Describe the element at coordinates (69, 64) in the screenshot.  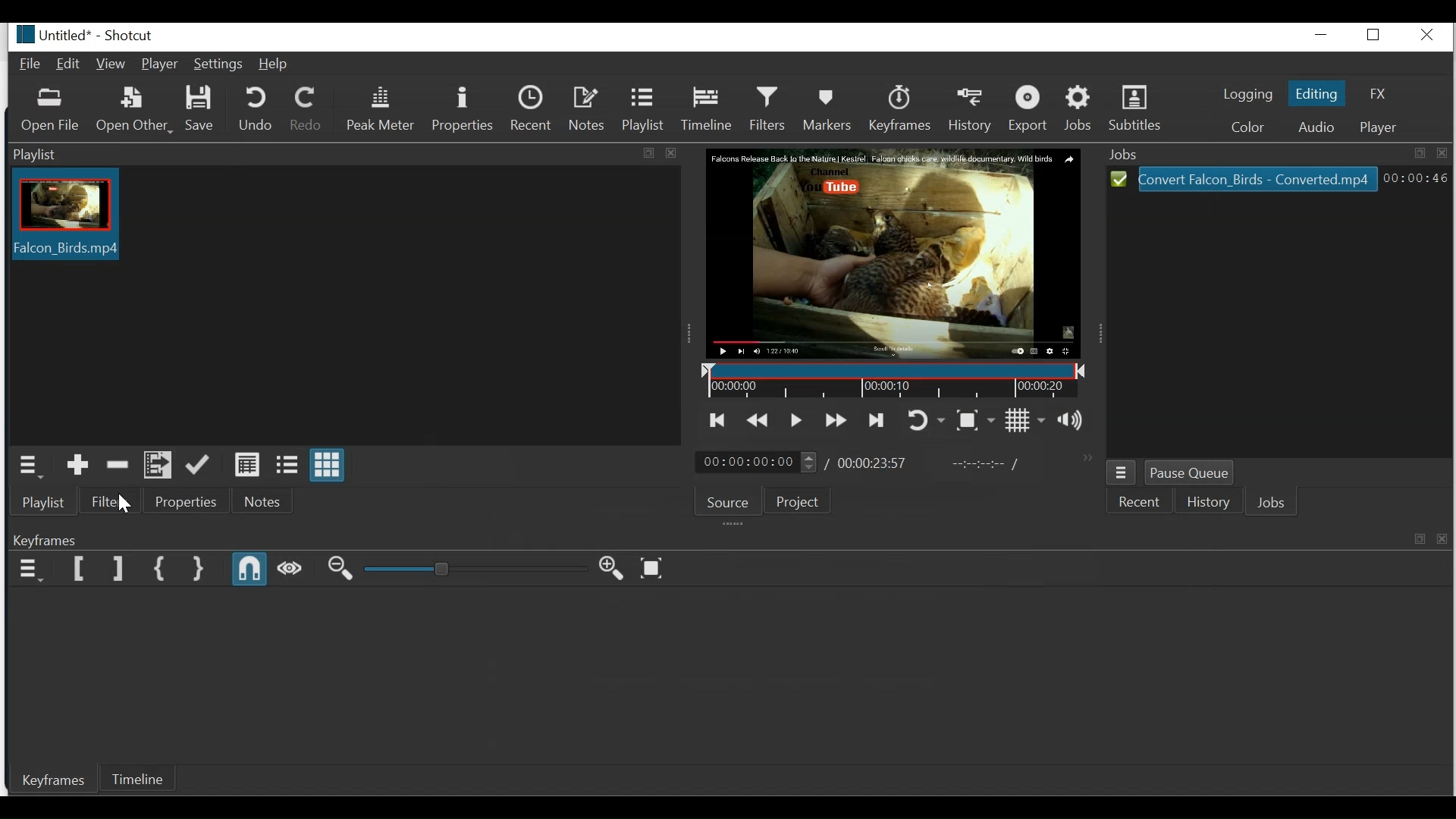
I see `Edit` at that location.